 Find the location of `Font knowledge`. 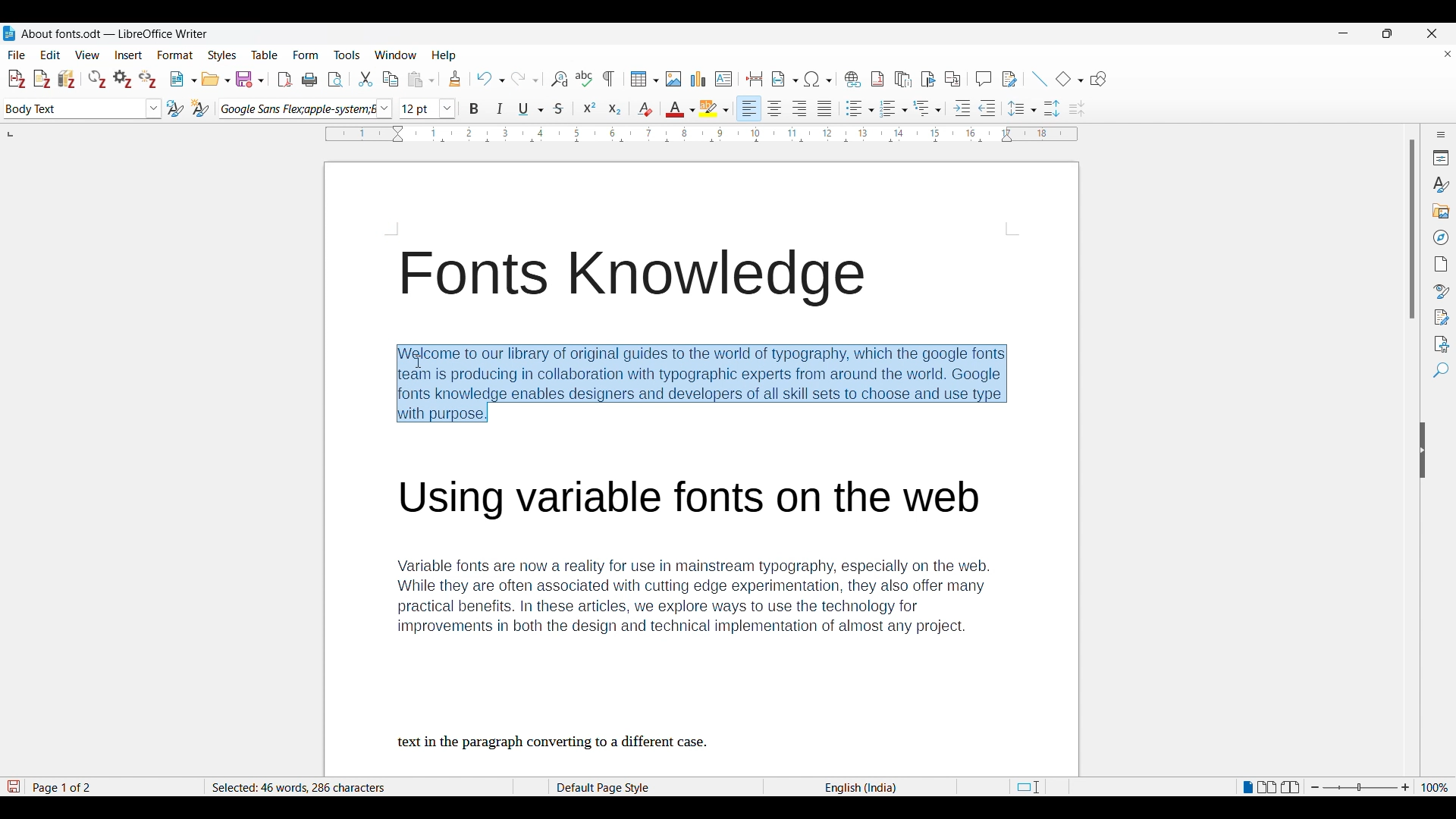

Font knowledge is located at coordinates (642, 278).